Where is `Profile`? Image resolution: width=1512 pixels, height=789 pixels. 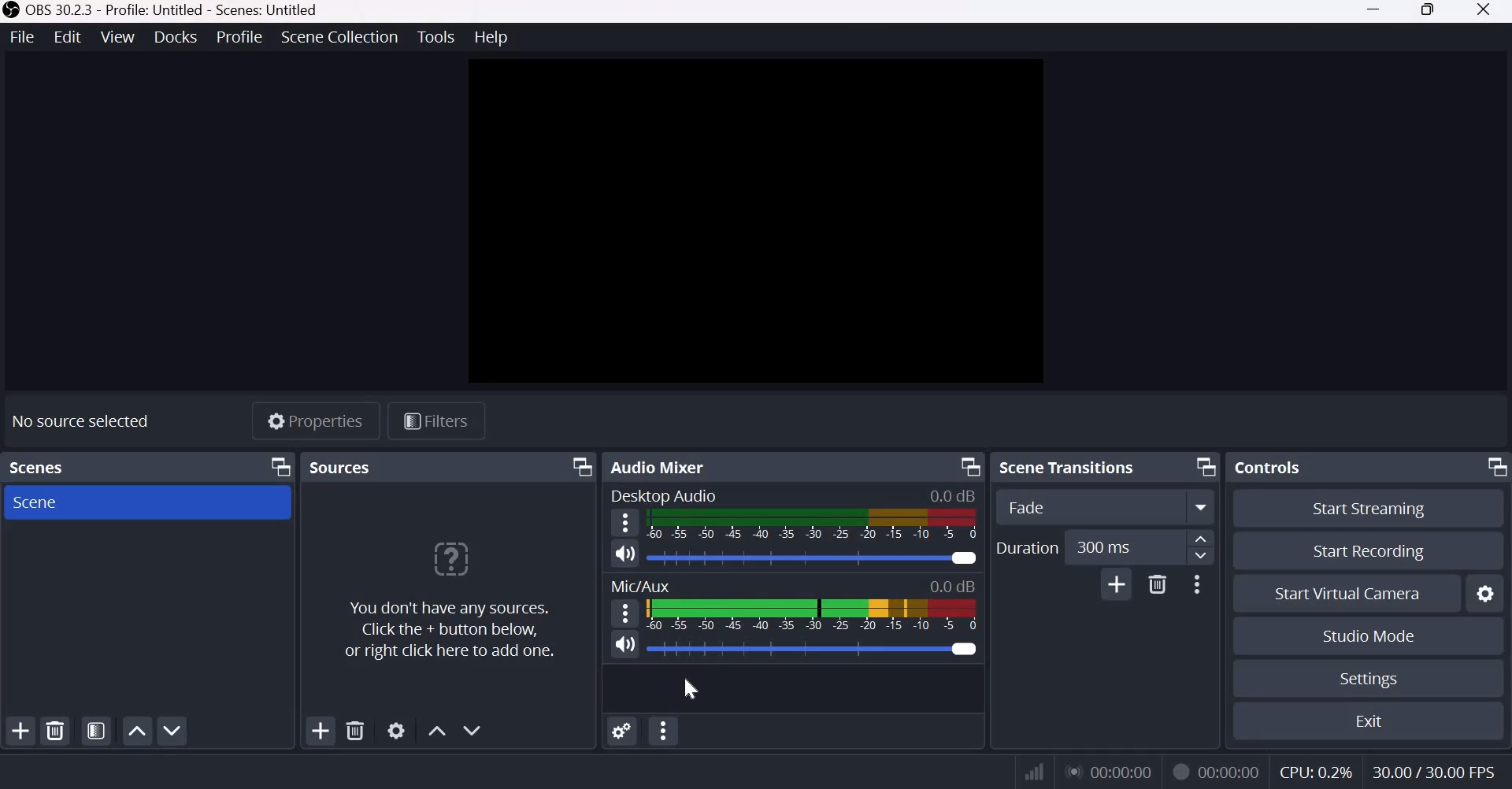
Profile is located at coordinates (243, 36).